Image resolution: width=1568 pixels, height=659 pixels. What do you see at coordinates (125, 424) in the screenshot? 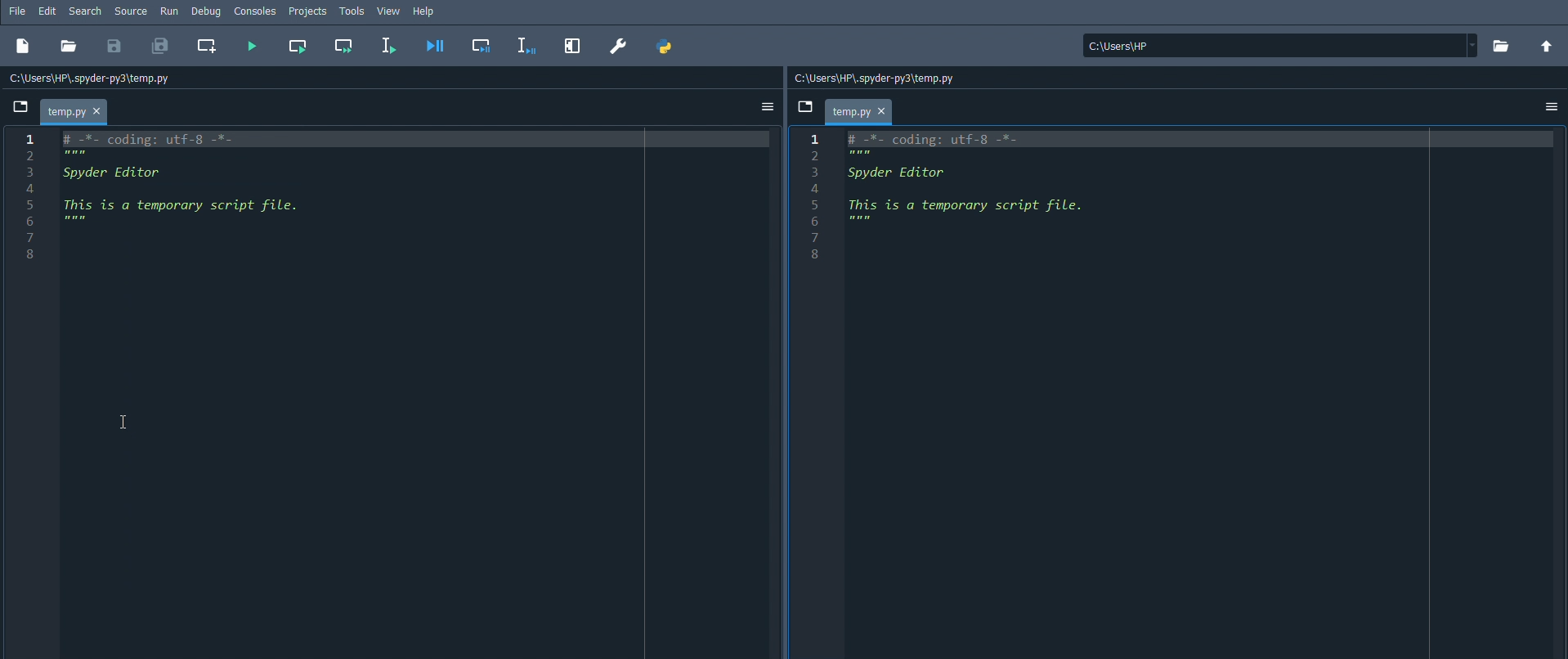
I see `cursor` at bounding box center [125, 424].